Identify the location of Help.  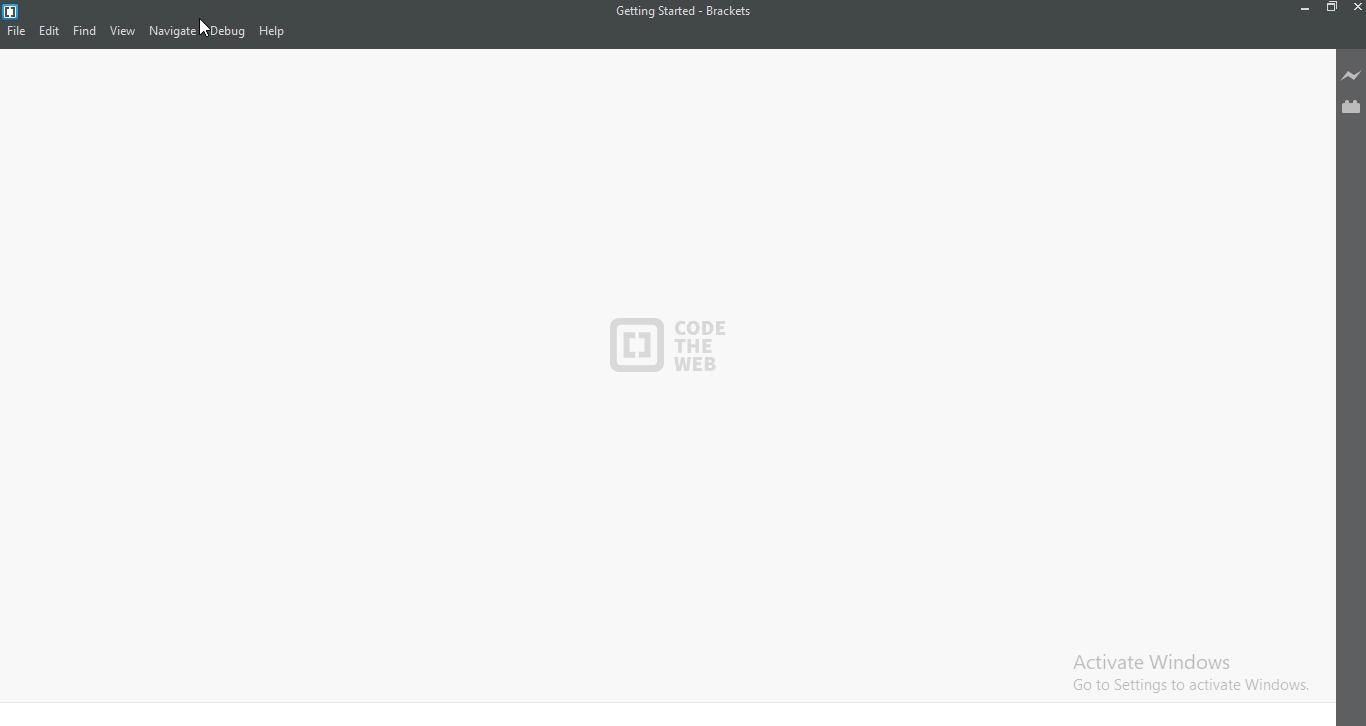
(271, 32).